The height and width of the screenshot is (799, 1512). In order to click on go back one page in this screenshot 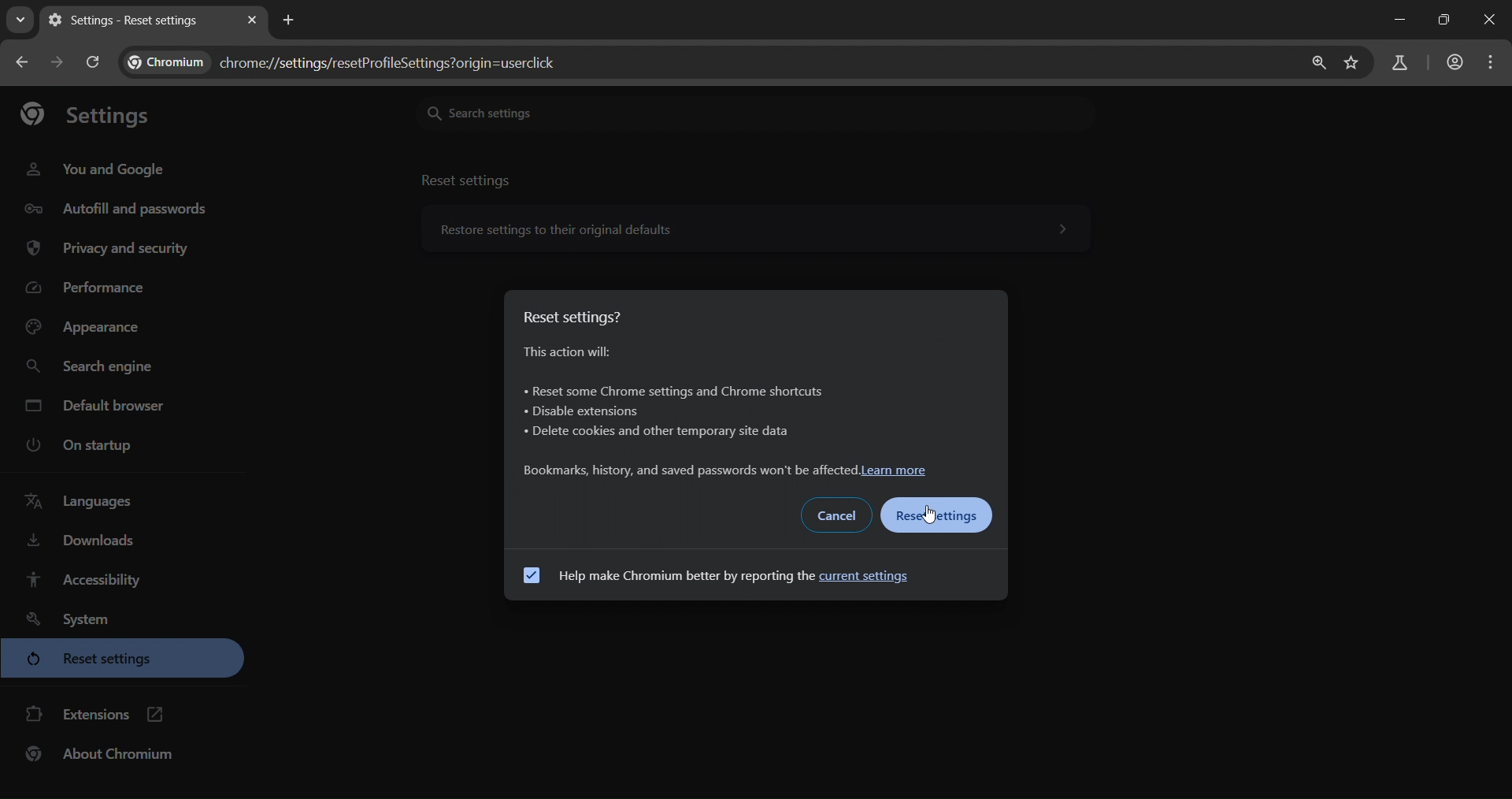, I will do `click(24, 61)`.